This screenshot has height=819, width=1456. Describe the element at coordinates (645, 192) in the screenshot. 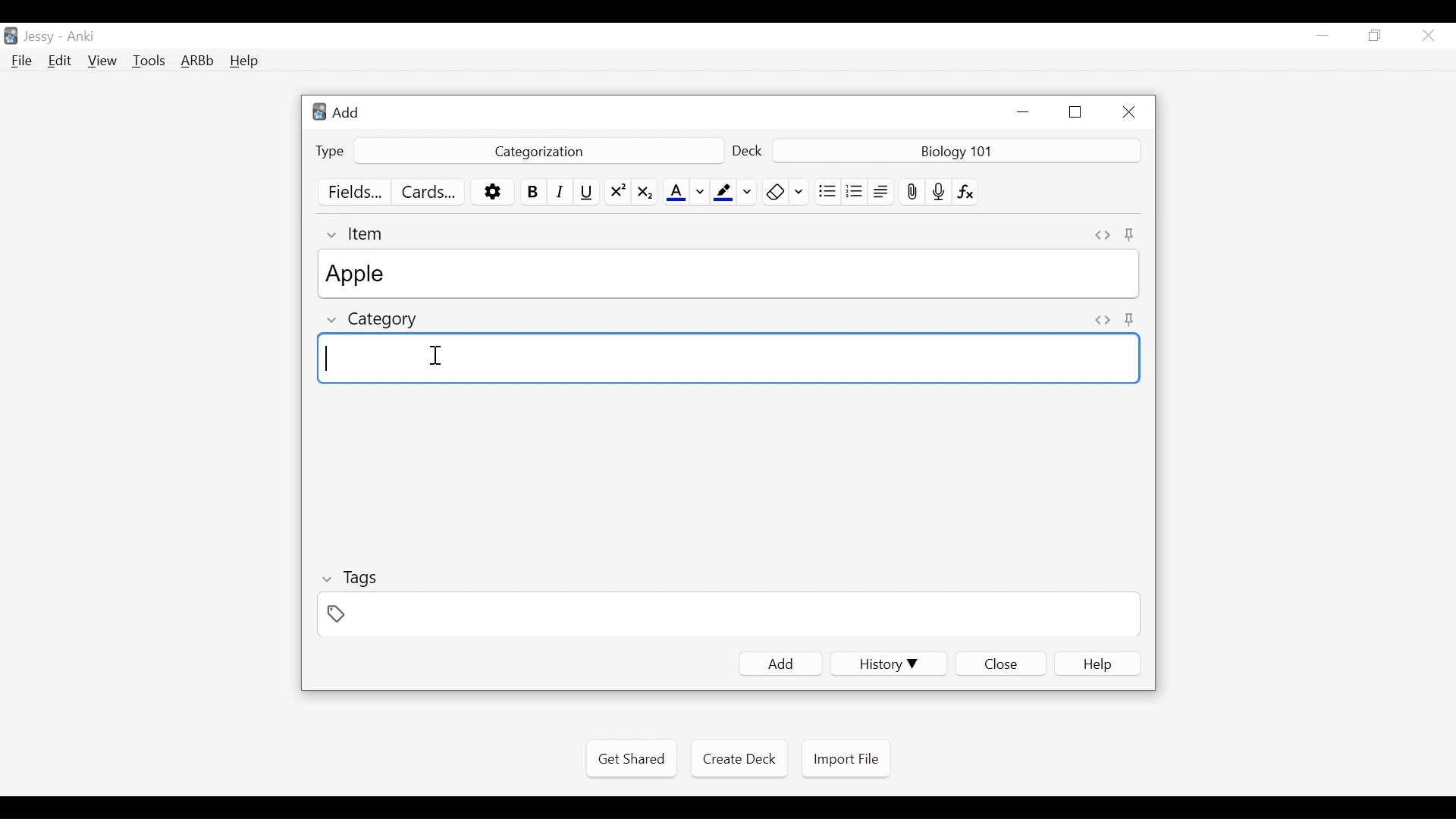

I see `Subscript` at that location.